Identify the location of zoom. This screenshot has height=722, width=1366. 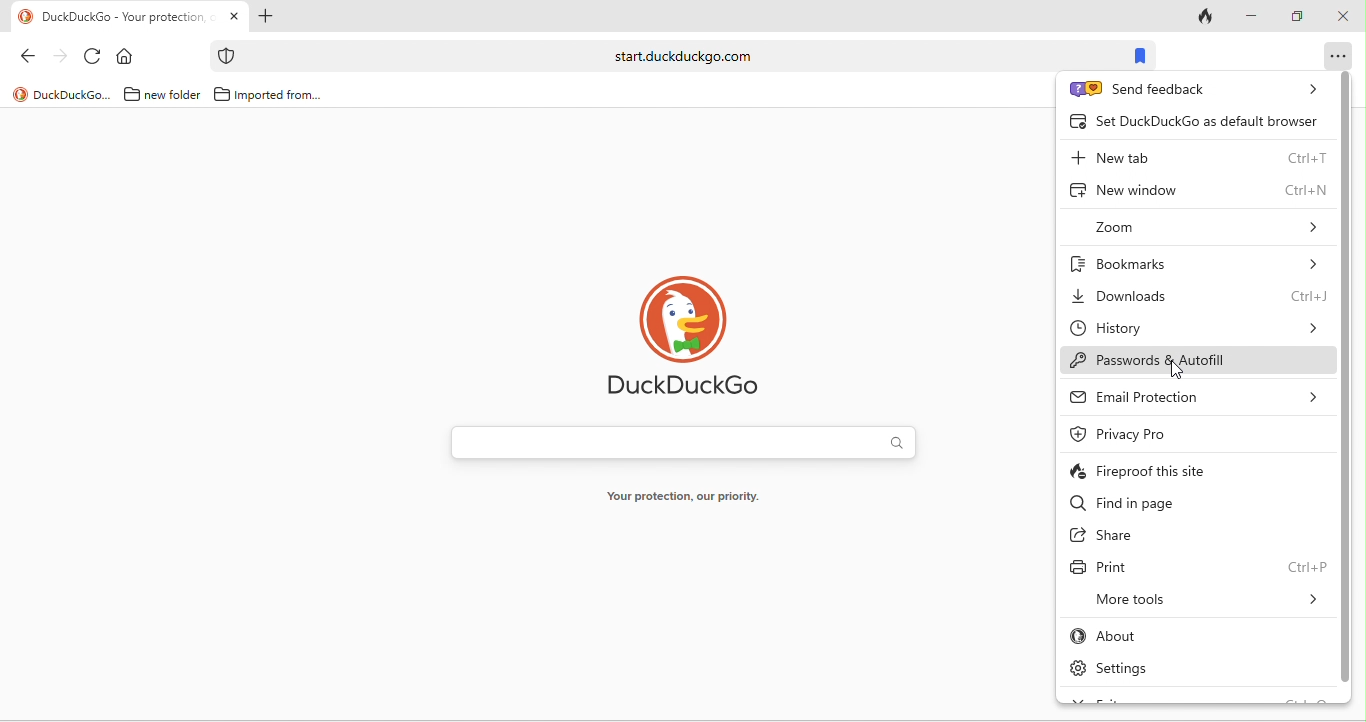
(1206, 225).